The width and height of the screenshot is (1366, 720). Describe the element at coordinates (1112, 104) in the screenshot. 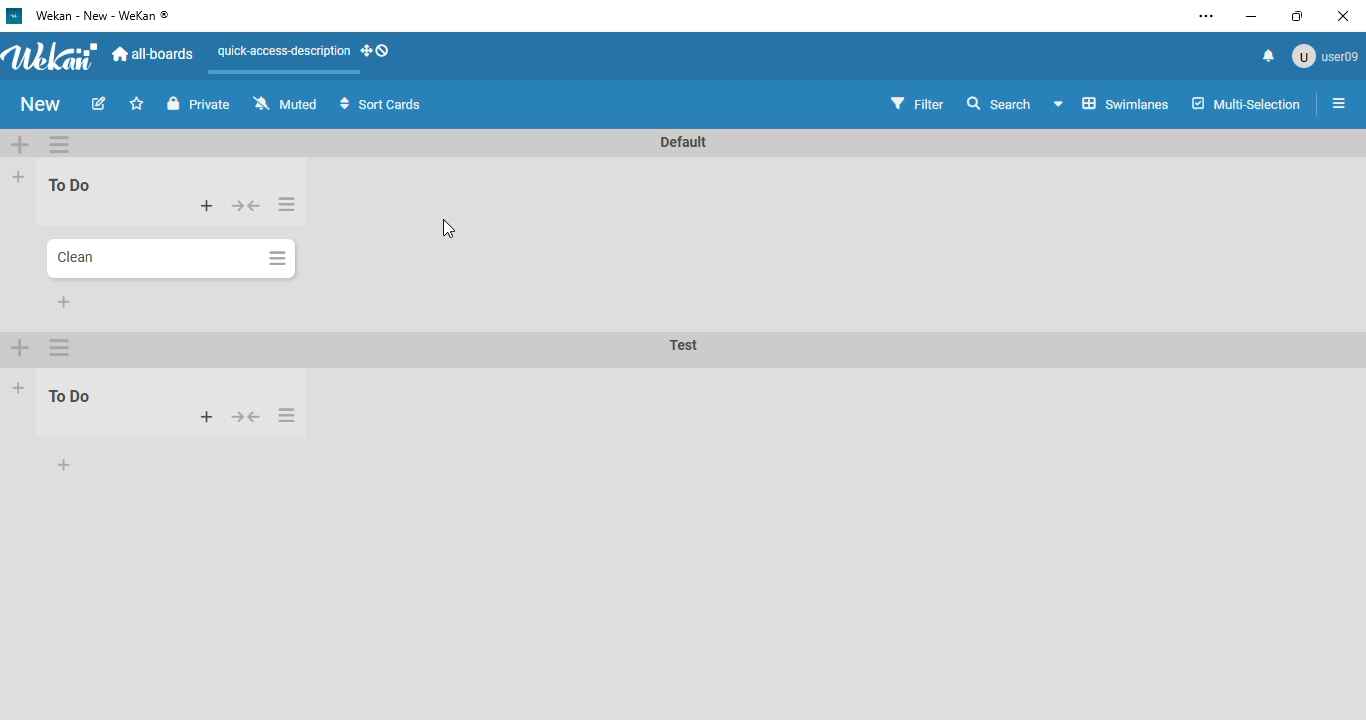

I see `board view` at that location.